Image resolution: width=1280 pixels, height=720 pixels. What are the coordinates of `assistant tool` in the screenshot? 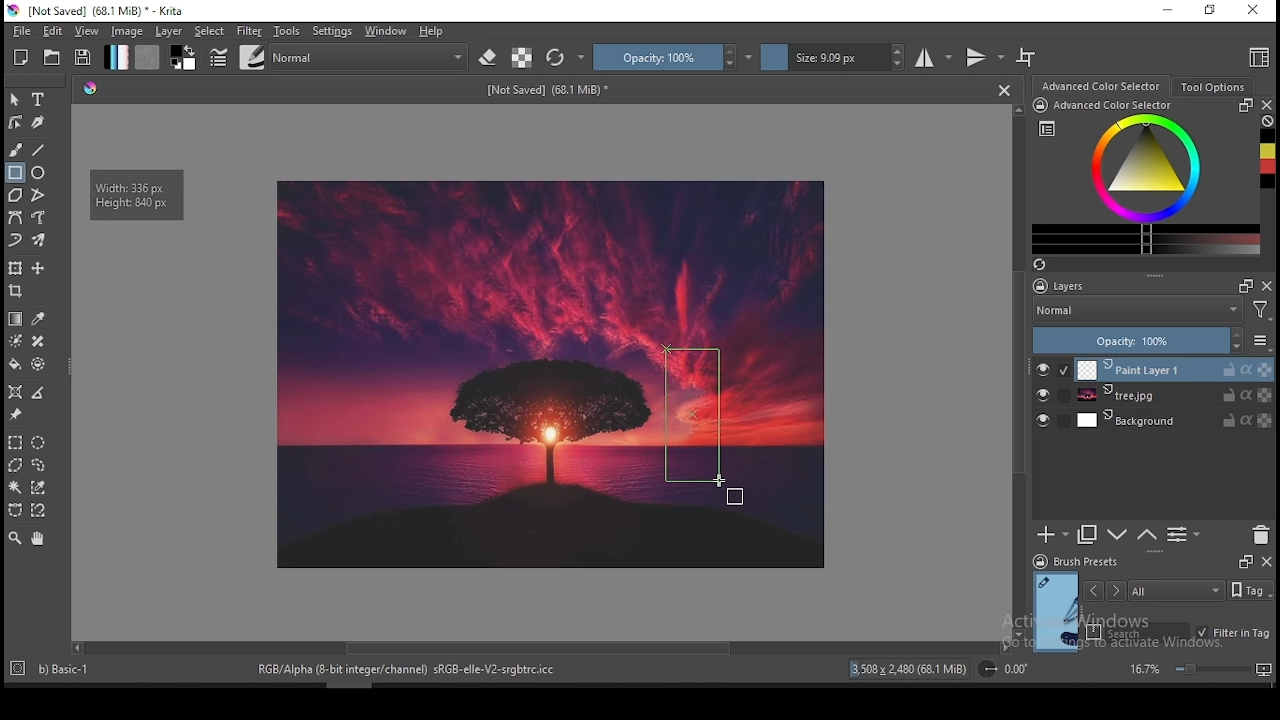 It's located at (16, 391).